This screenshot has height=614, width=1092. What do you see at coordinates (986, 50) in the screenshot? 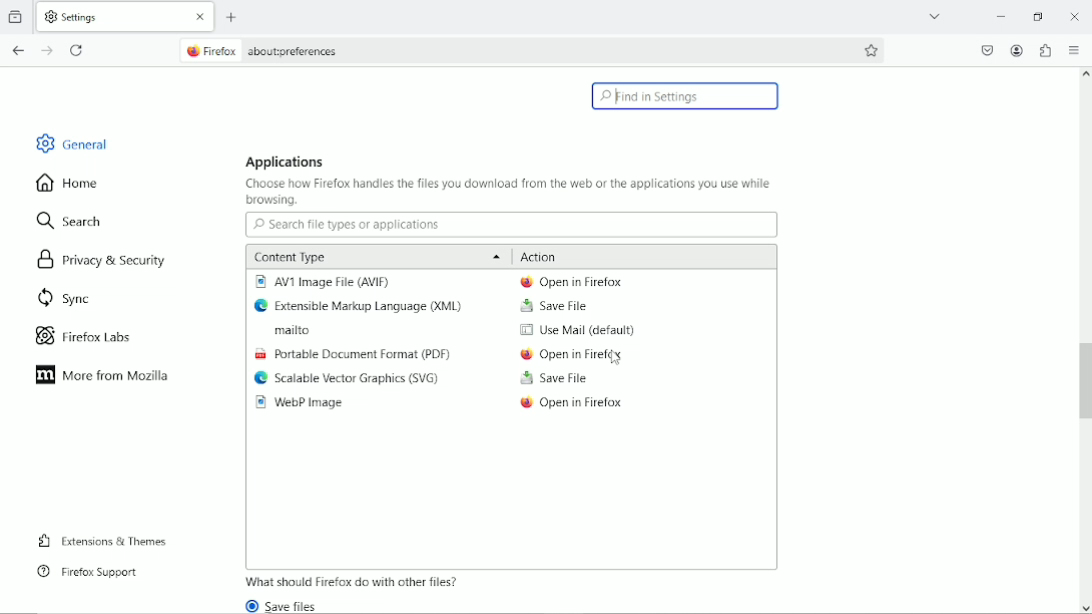
I see `save to pocket` at bounding box center [986, 50].